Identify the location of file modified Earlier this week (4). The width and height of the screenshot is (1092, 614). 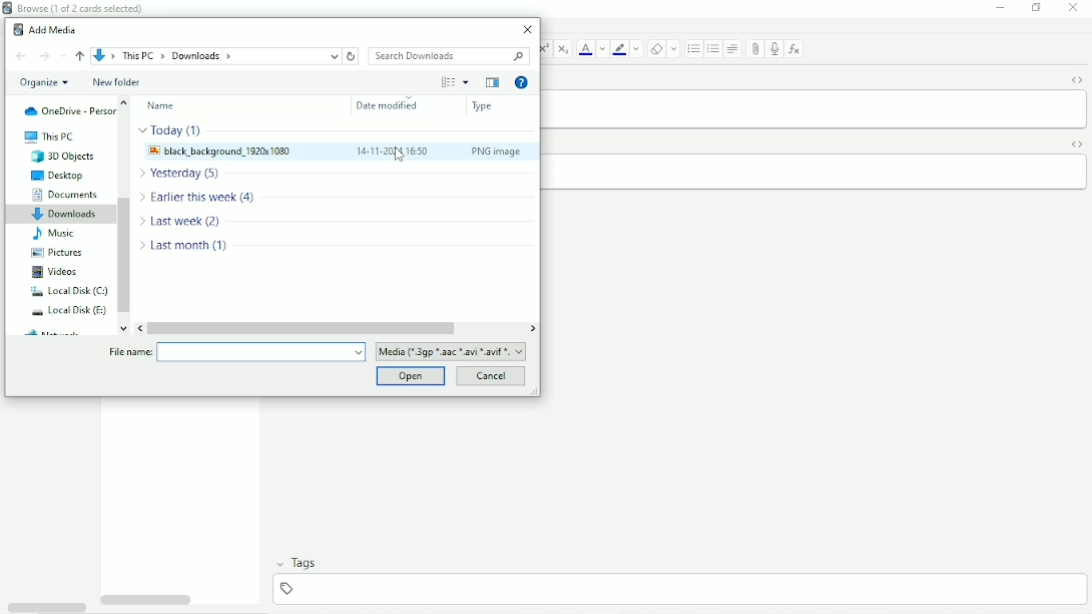
(197, 197).